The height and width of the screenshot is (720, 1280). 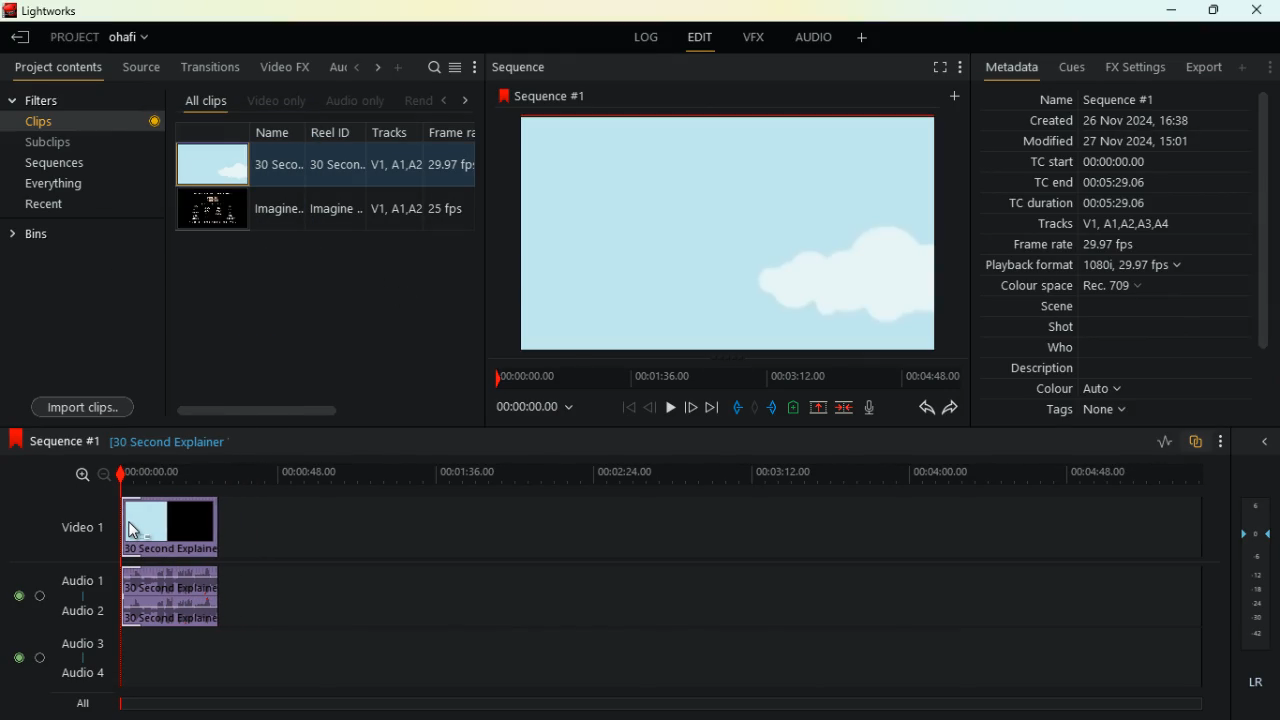 I want to click on sequence, so click(x=519, y=69).